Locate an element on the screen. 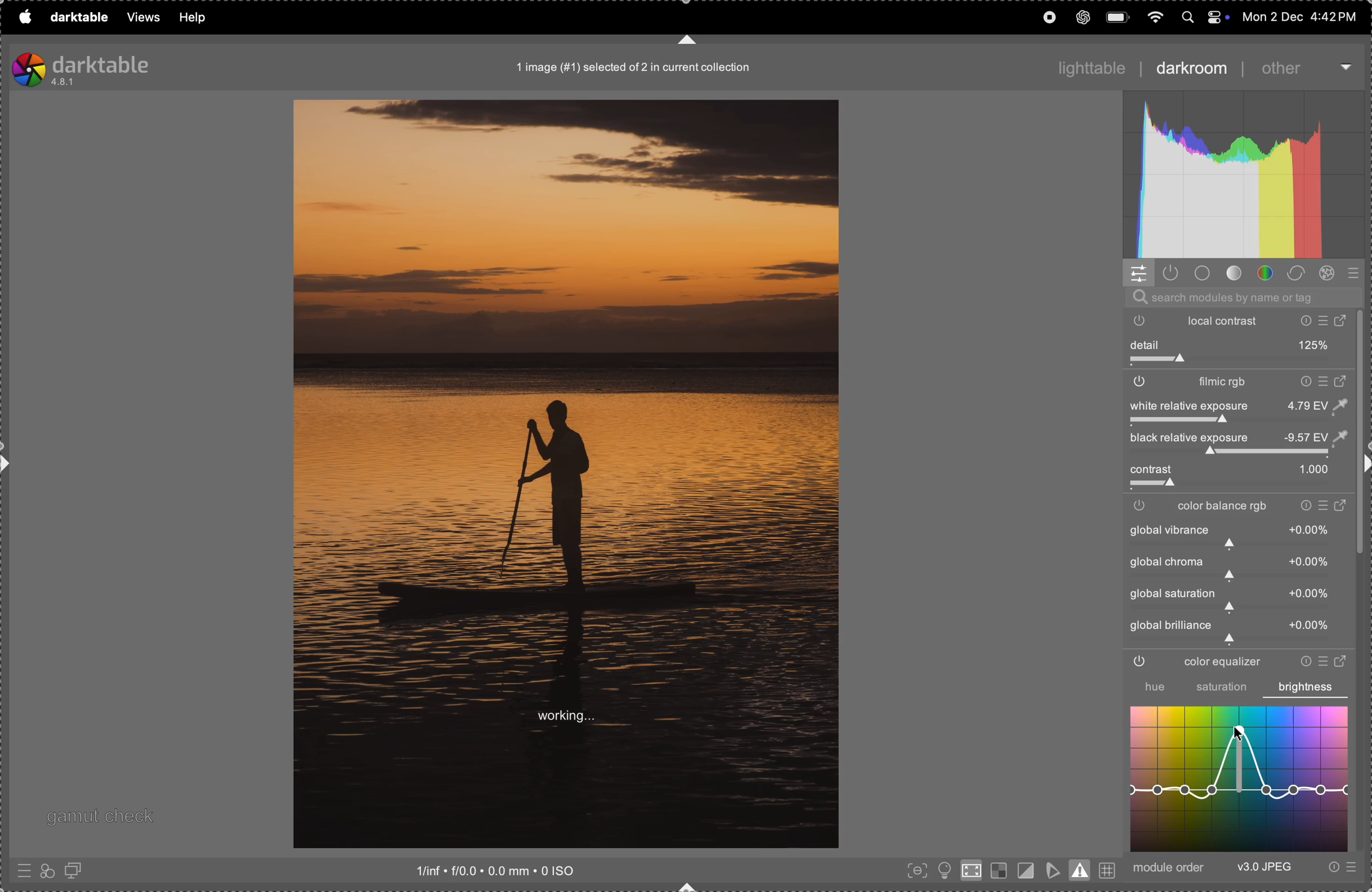  lightable is located at coordinates (1085, 64).